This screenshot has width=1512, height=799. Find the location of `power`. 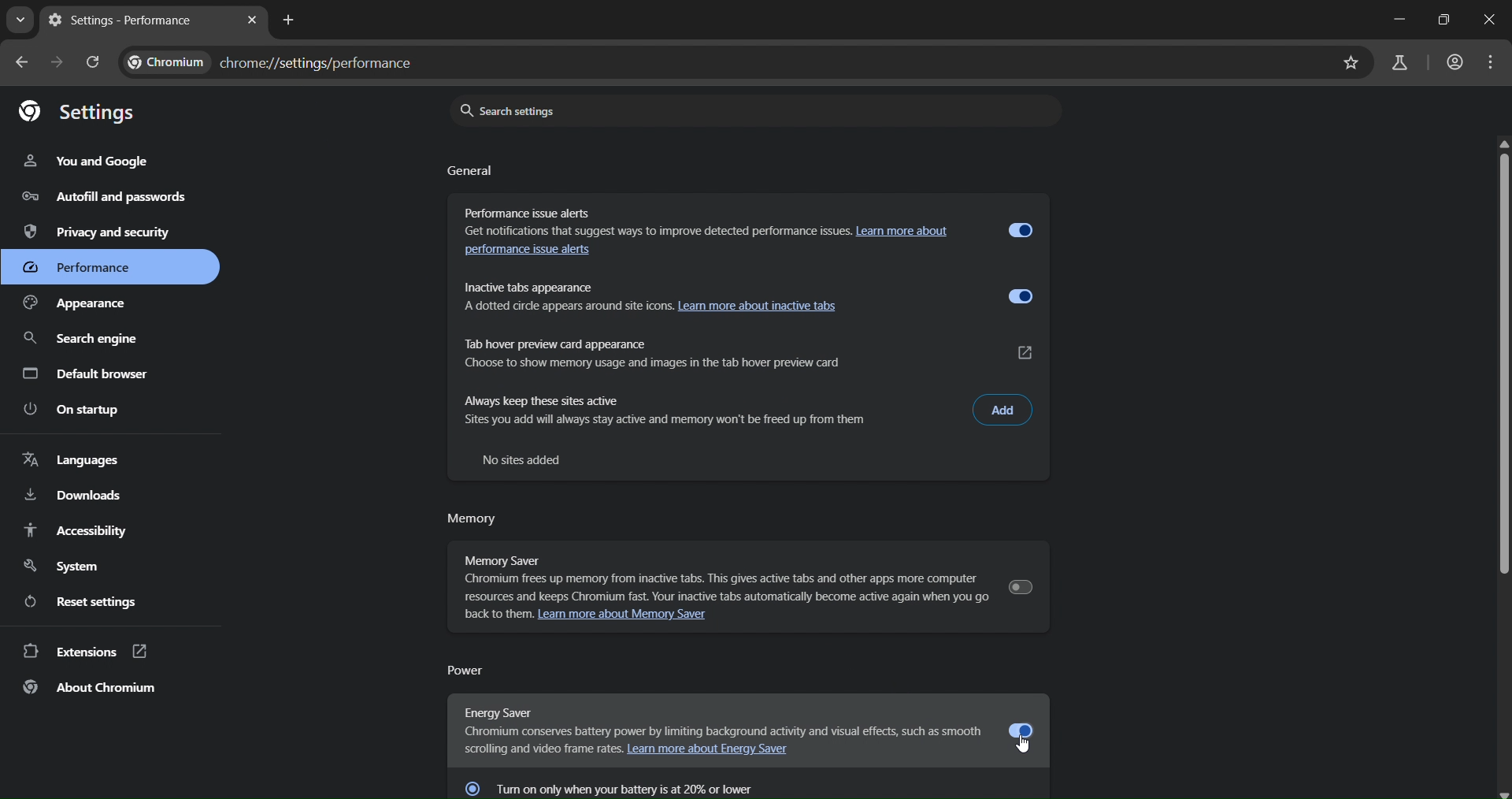

power is located at coordinates (471, 670).